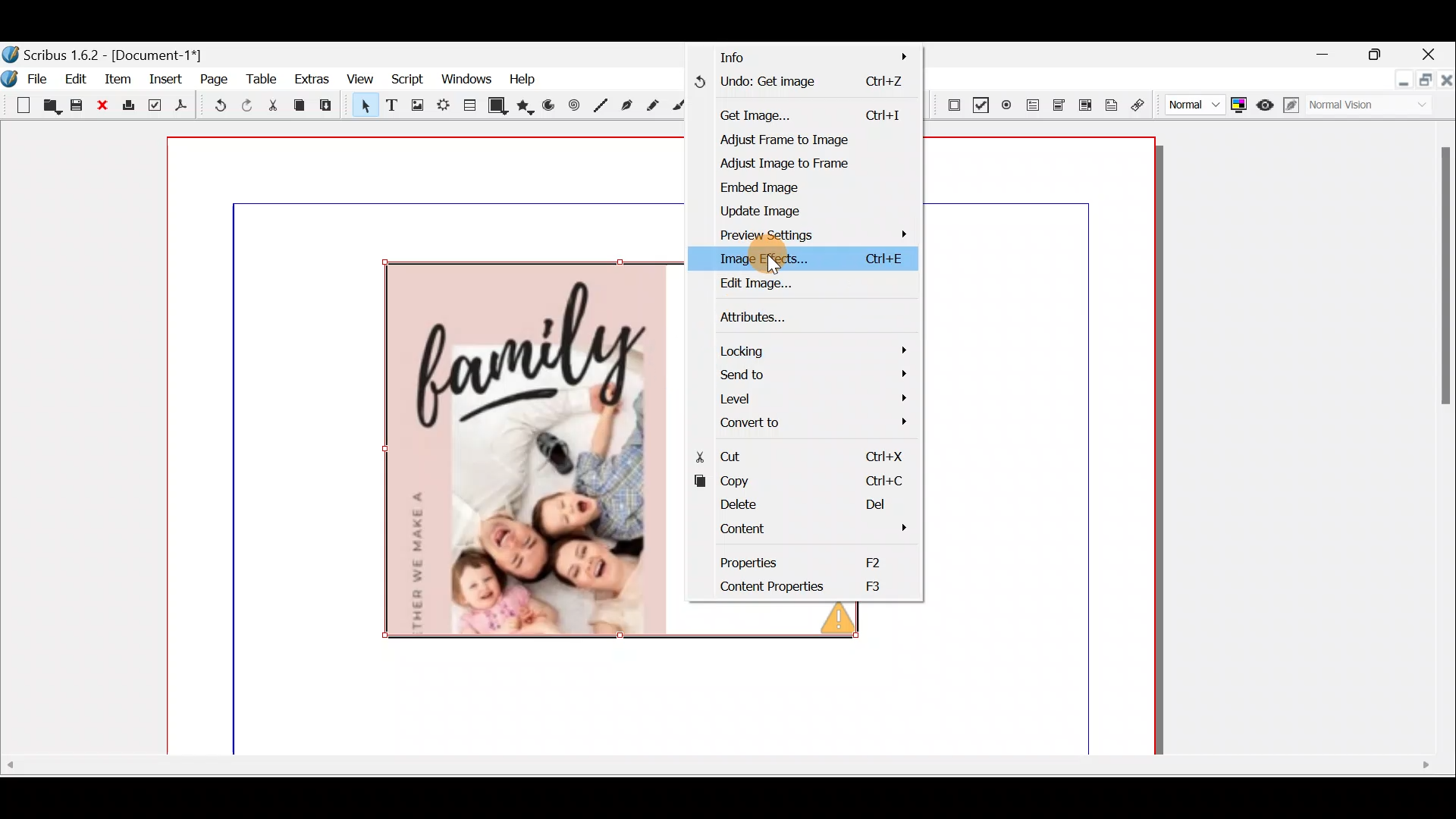 This screenshot has width=1456, height=819. What do you see at coordinates (786, 314) in the screenshot?
I see `Attributes` at bounding box center [786, 314].